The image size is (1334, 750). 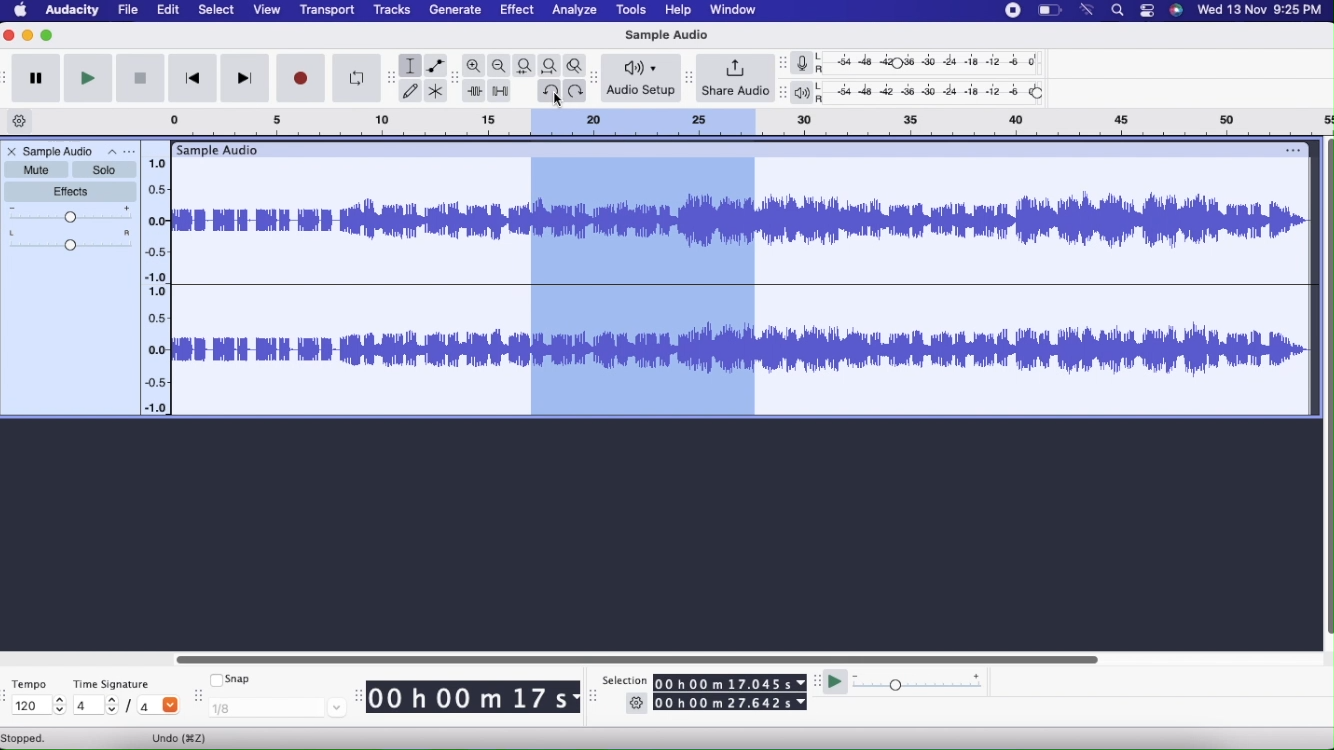 I want to click on /, so click(x=128, y=707).